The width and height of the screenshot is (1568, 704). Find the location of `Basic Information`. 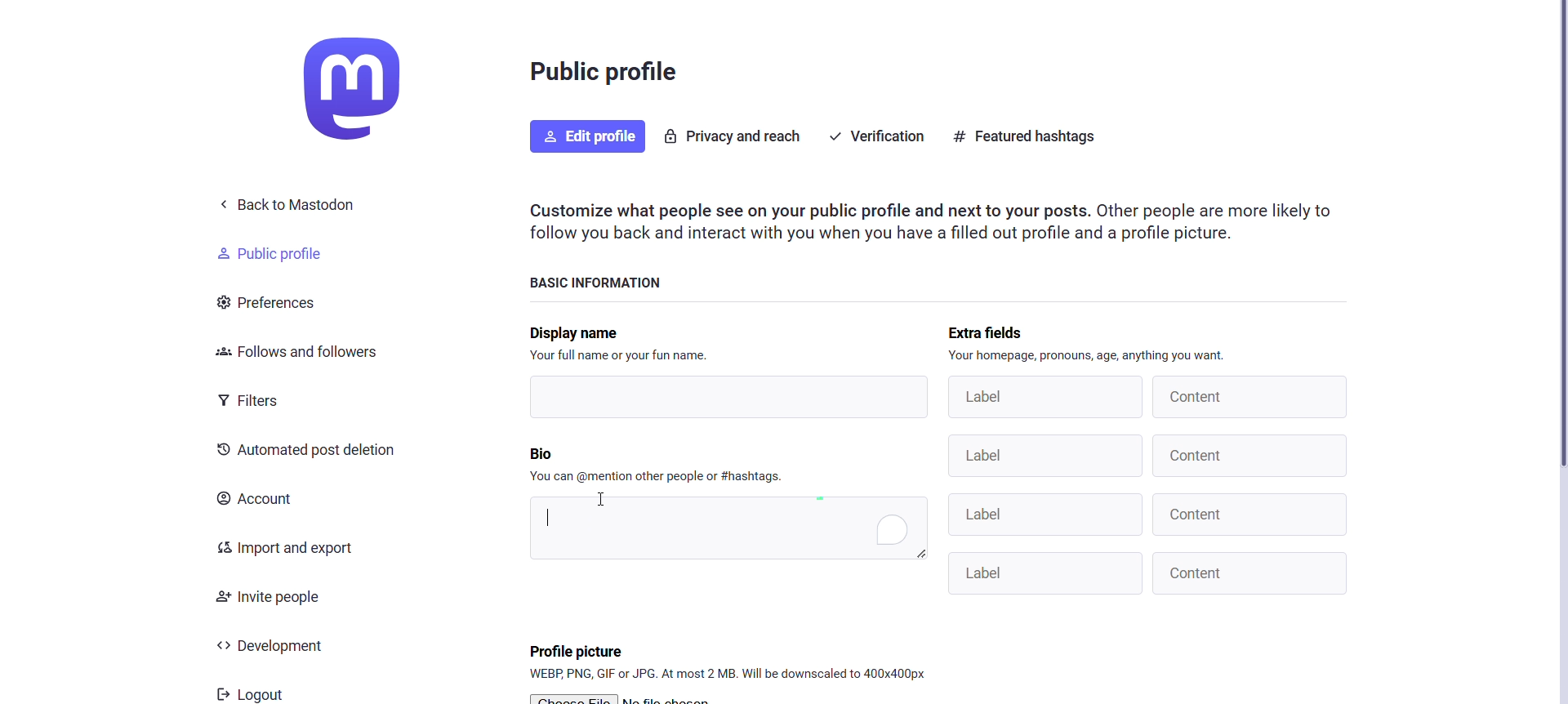

Basic Information is located at coordinates (604, 281).